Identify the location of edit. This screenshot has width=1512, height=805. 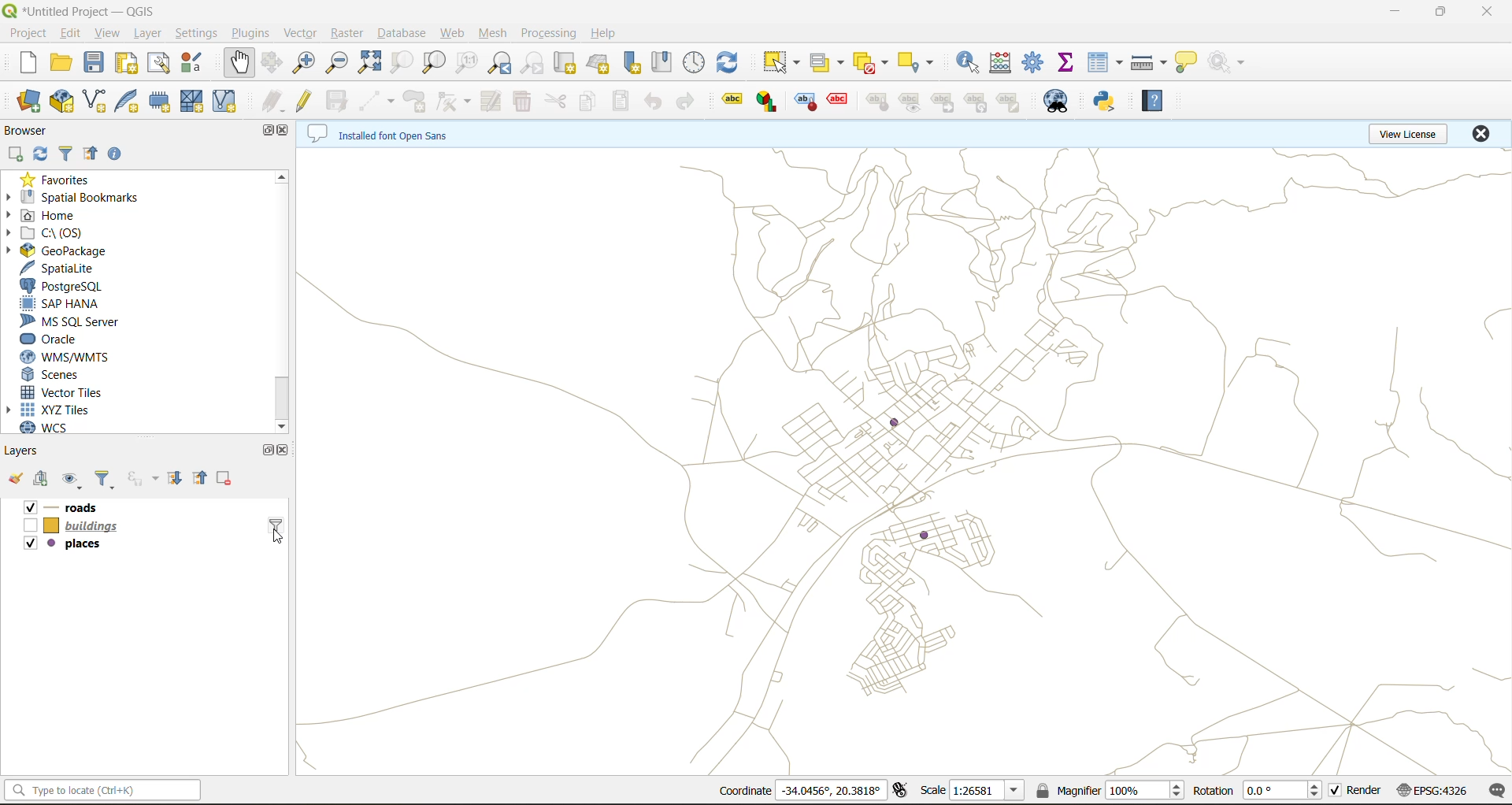
(74, 34).